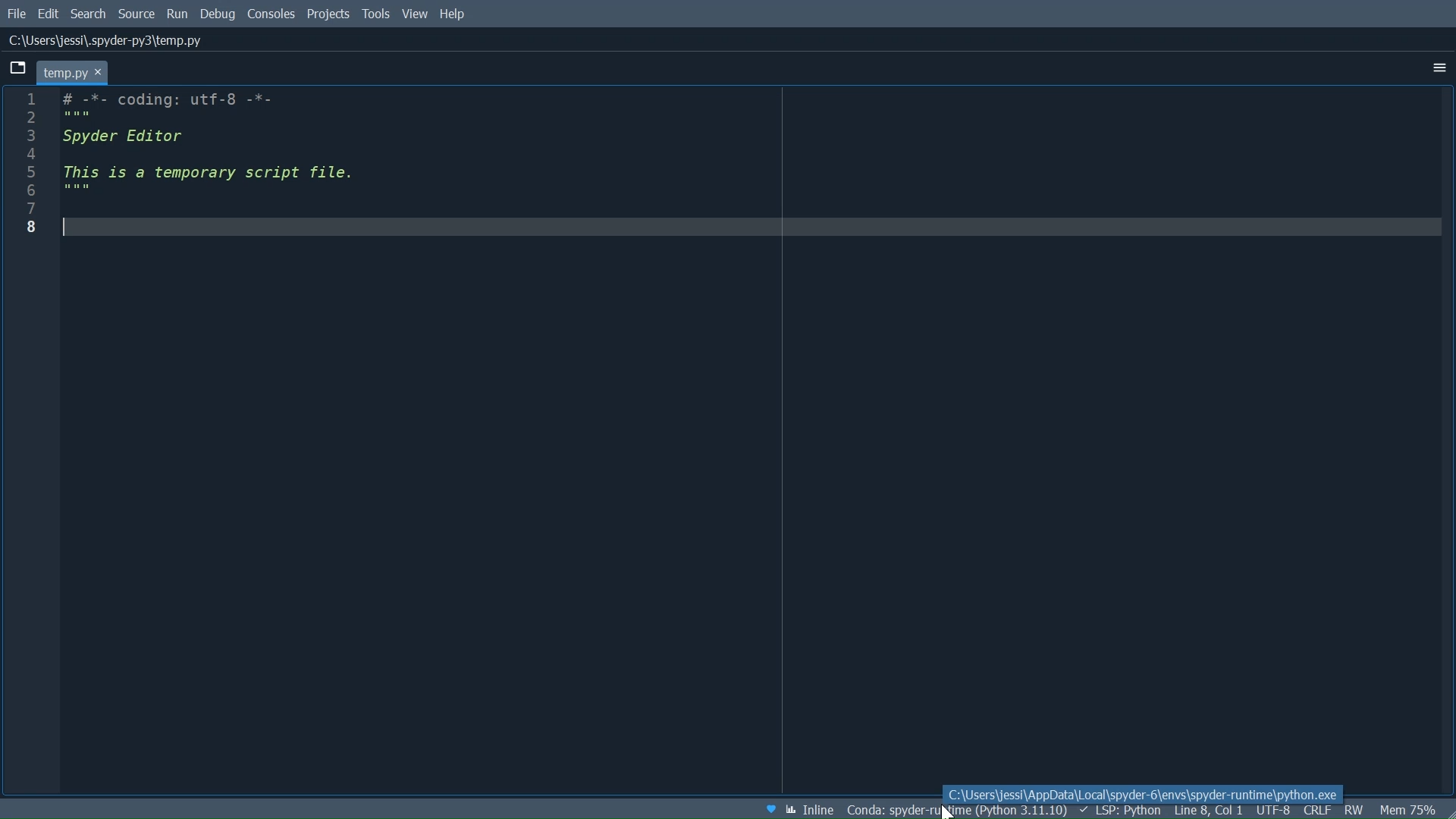 The width and height of the screenshot is (1456, 819). What do you see at coordinates (1210, 812) in the screenshot?
I see `Cursor Position` at bounding box center [1210, 812].